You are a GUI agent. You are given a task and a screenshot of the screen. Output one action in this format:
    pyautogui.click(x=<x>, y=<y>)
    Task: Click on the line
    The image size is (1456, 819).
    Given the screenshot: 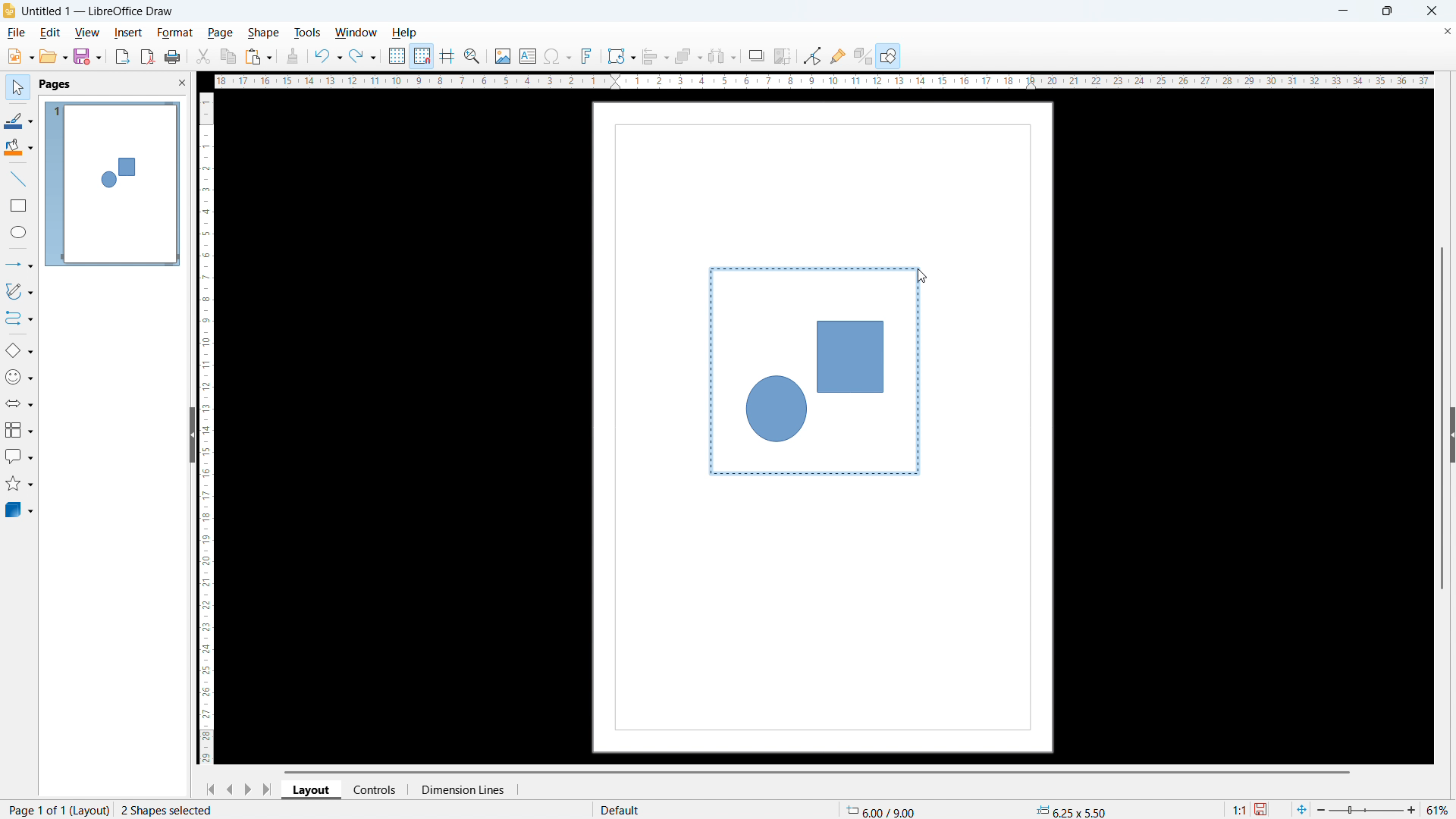 What is the action you would take?
    pyautogui.click(x=19, y=179)
    